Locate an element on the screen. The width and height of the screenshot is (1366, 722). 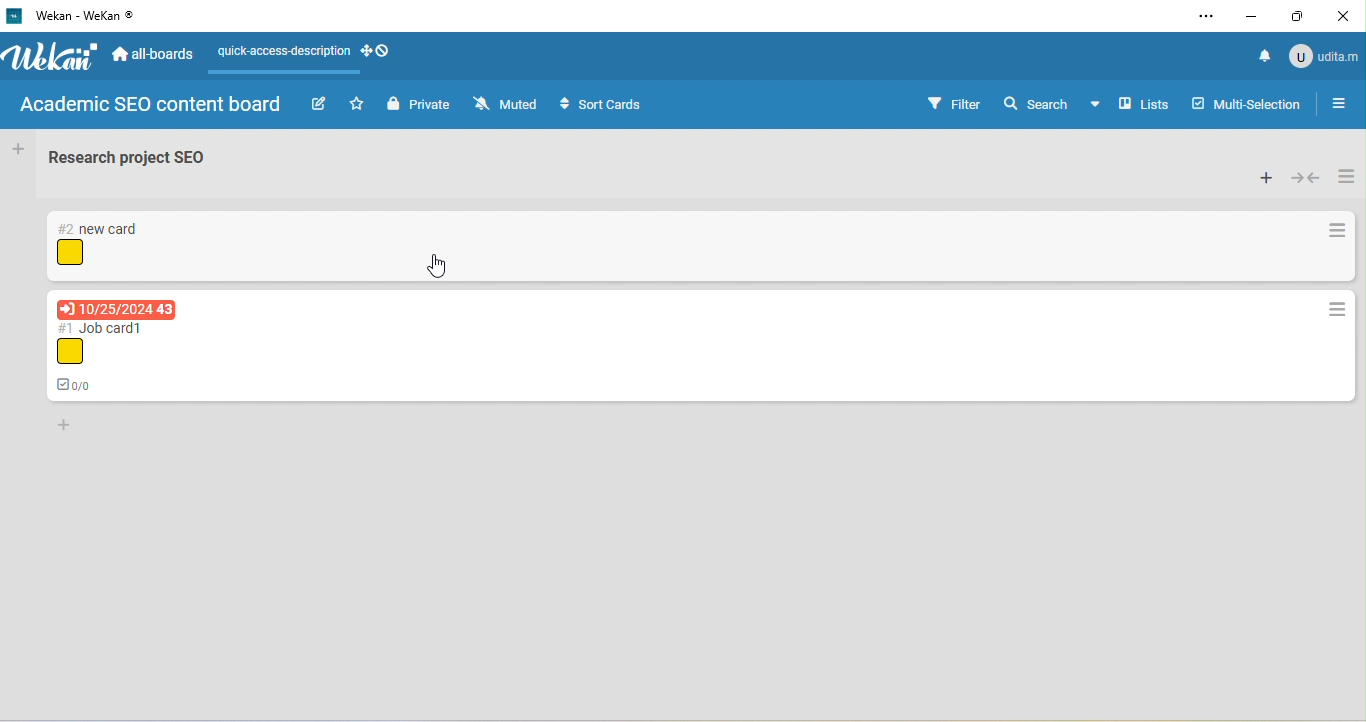
sort cards is located at coordinates (606, 106).